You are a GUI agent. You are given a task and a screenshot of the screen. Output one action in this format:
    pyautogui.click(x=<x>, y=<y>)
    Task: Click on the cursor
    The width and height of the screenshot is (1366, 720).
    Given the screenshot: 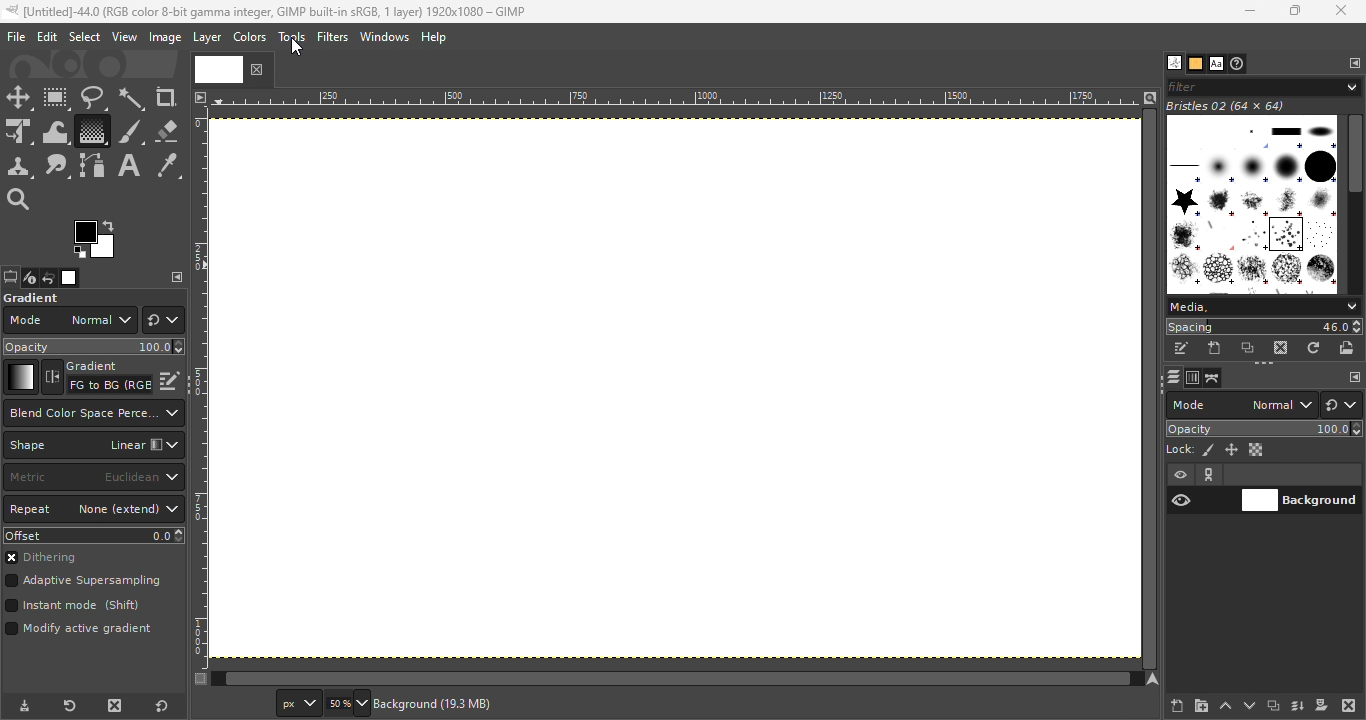 What is the action you would take?
    pyautogui.click(x=296, y=47)
    